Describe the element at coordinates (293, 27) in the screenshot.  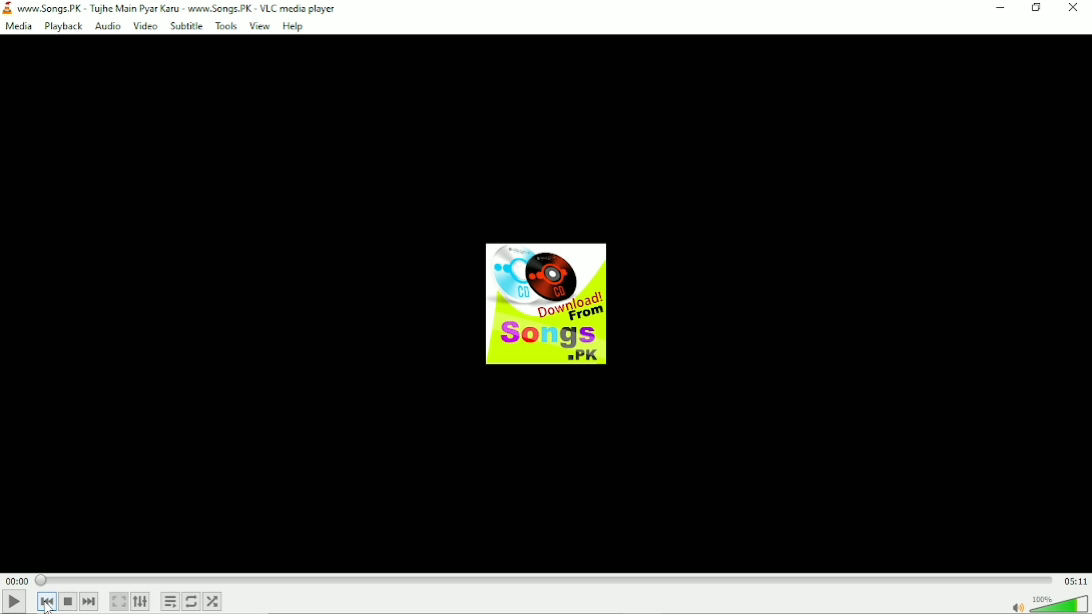
I see `Help` at that location.